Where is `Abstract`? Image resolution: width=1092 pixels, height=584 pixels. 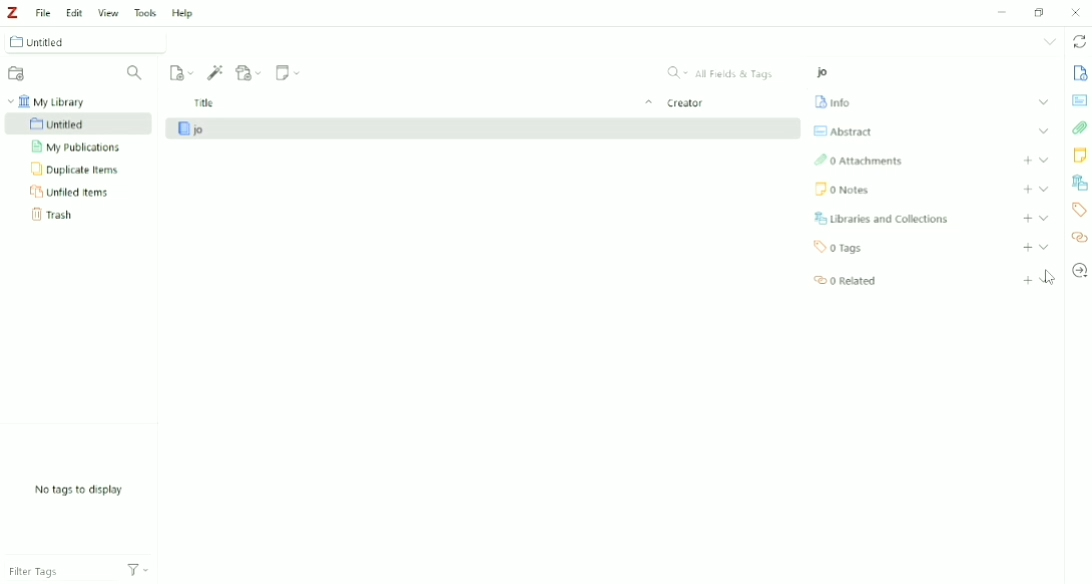 Abstract is located at coordinates (843, 131).